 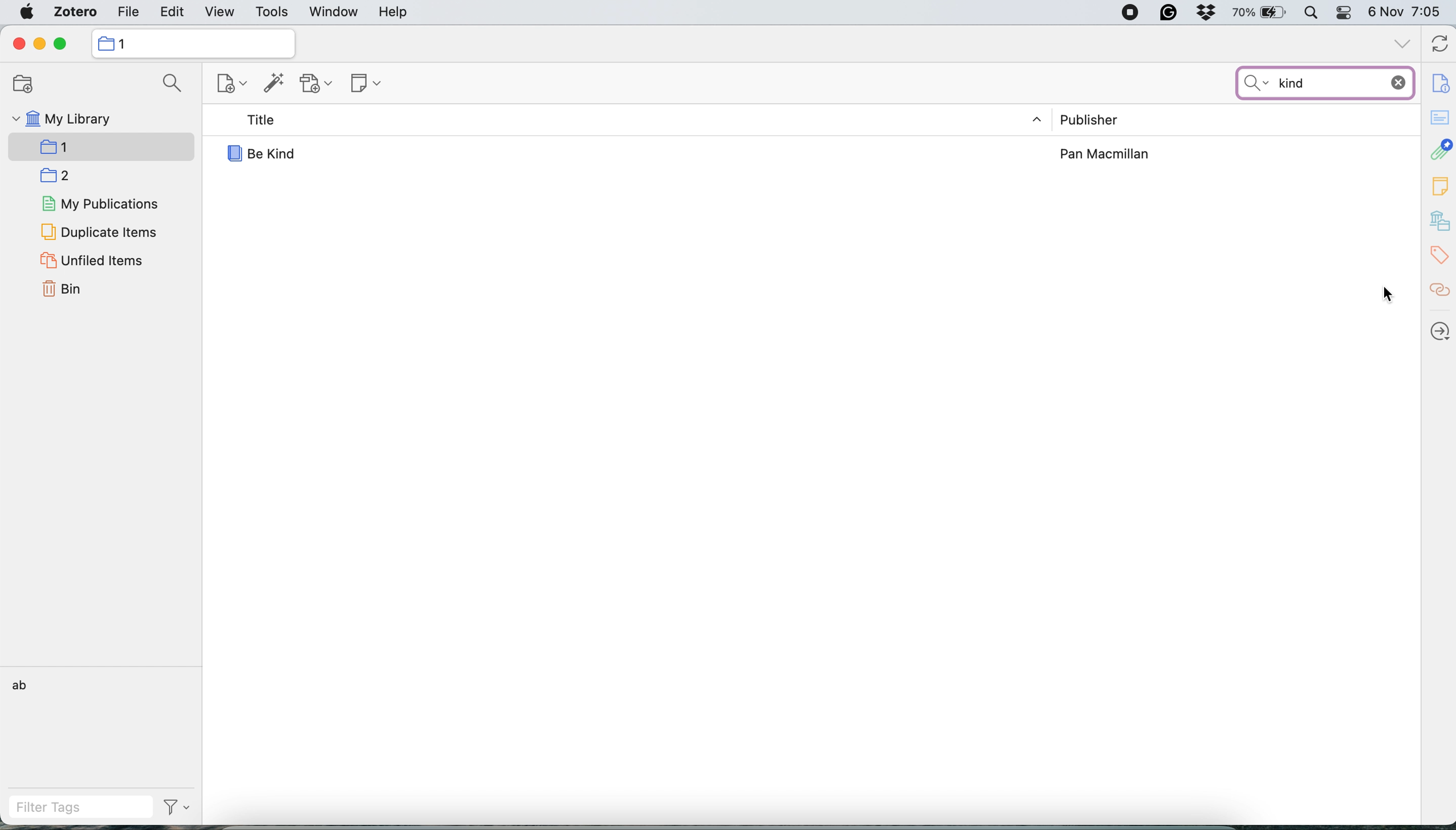 I want to click on Pan Macmillan, so click(x=1106, y=154).